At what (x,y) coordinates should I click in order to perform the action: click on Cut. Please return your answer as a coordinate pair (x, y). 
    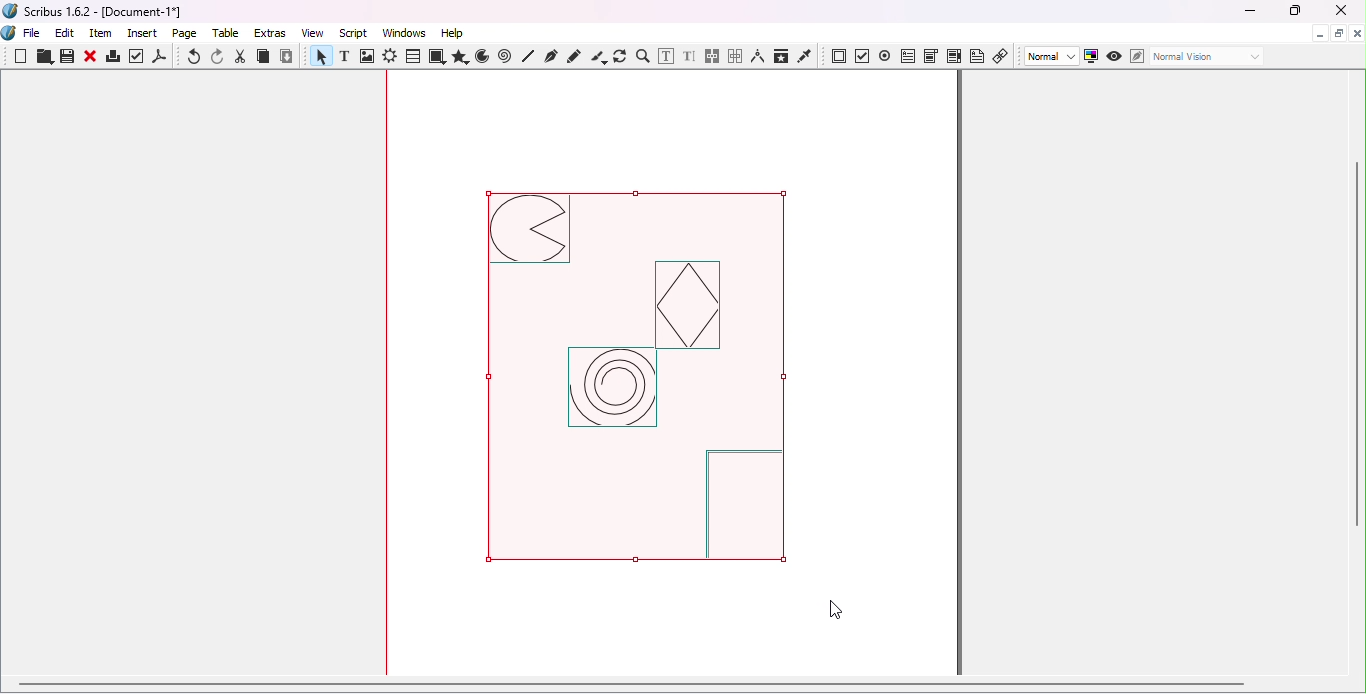
    Looking at the image, I should click on (241, 57).